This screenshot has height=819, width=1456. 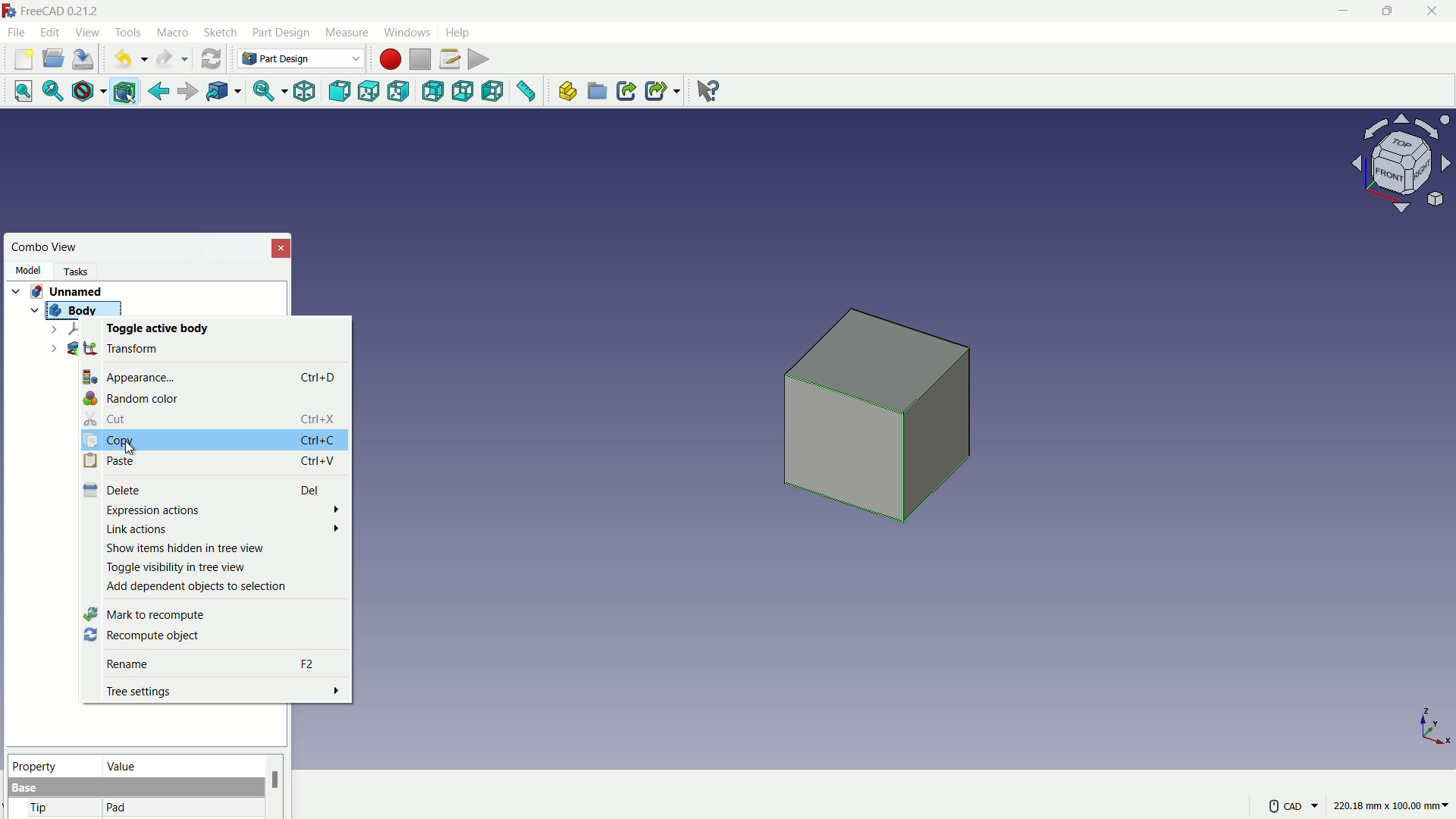 What do you see at coordinates (210, 441) in the screenshot?
I see `Copy Ctrl+C` at bounding box center [210, 441].